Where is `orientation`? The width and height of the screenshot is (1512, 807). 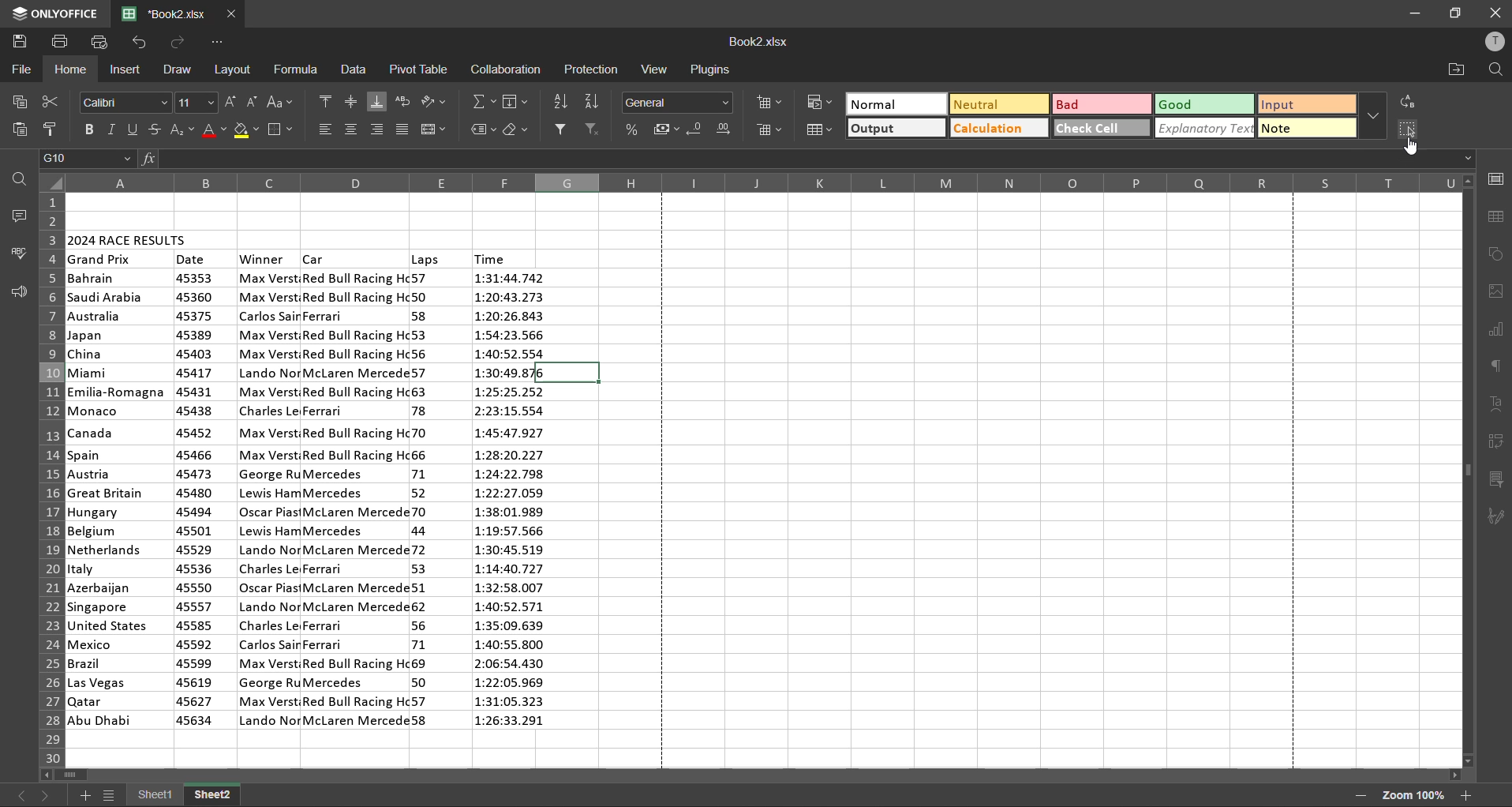 orientation is located at coordinates (433, 102).